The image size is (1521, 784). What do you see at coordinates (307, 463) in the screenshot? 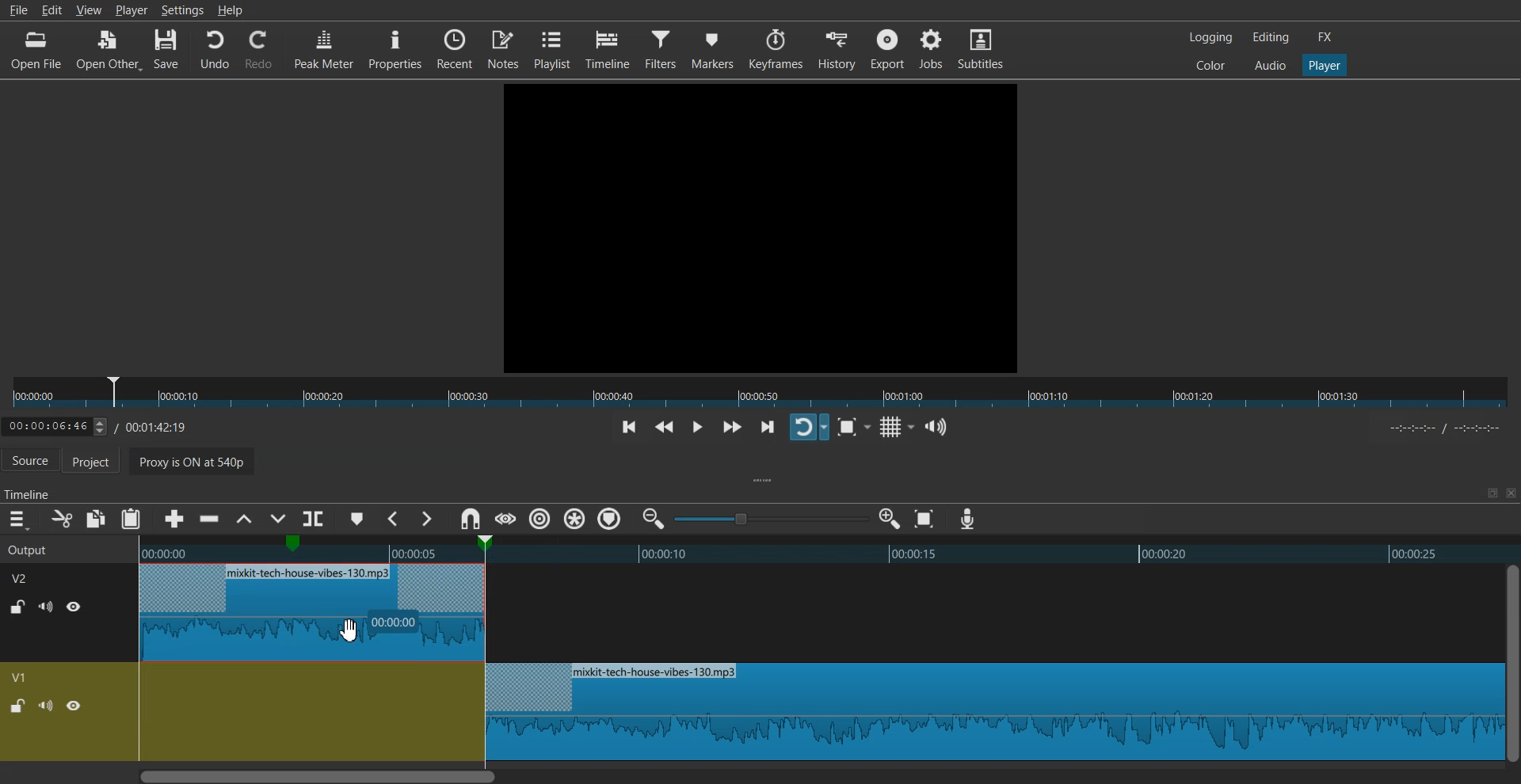
I see `Proxy is ON at 540p` at bounding box center [307, 463].